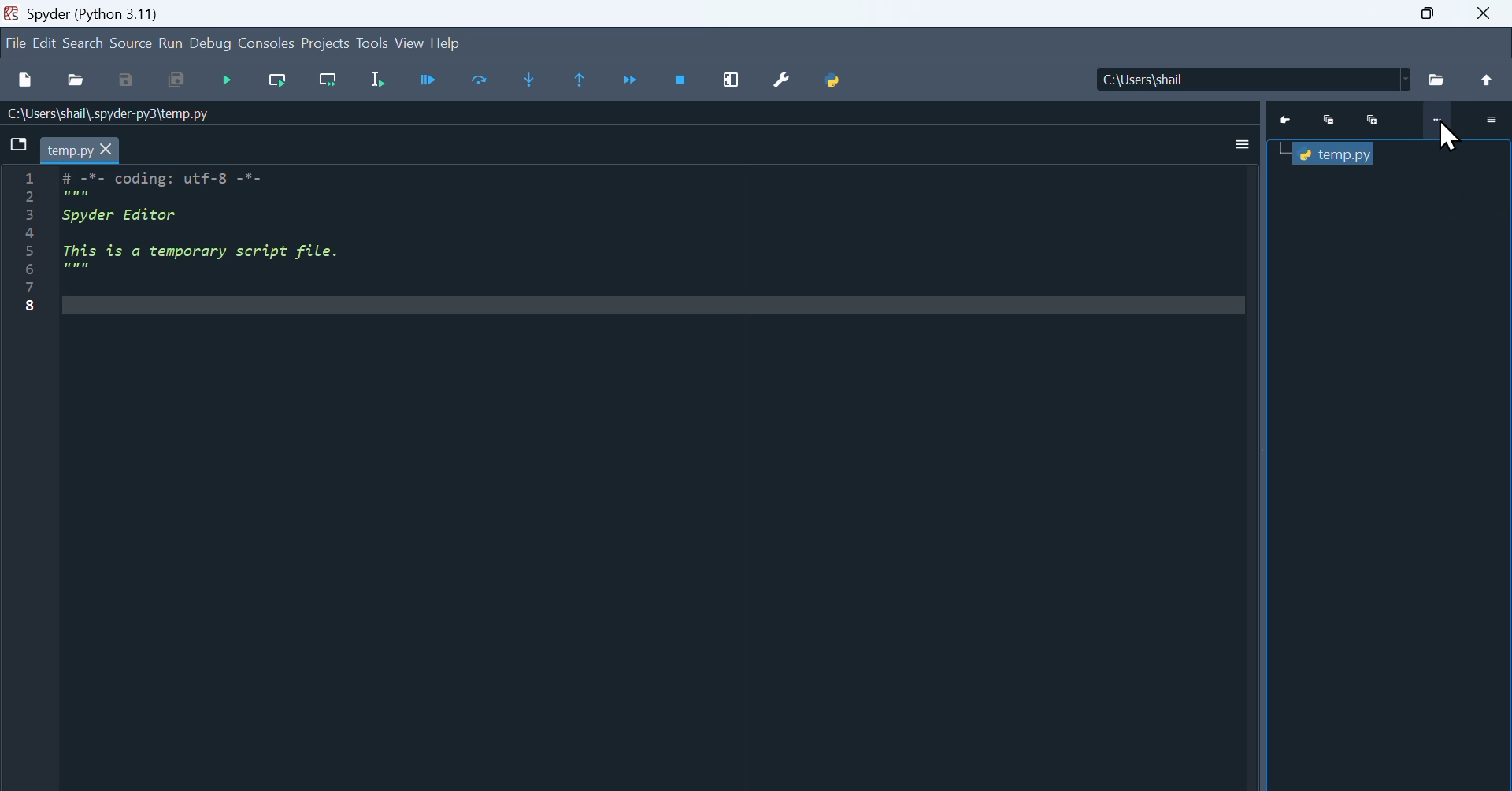  I want to click on cursor, so click(109, 150).